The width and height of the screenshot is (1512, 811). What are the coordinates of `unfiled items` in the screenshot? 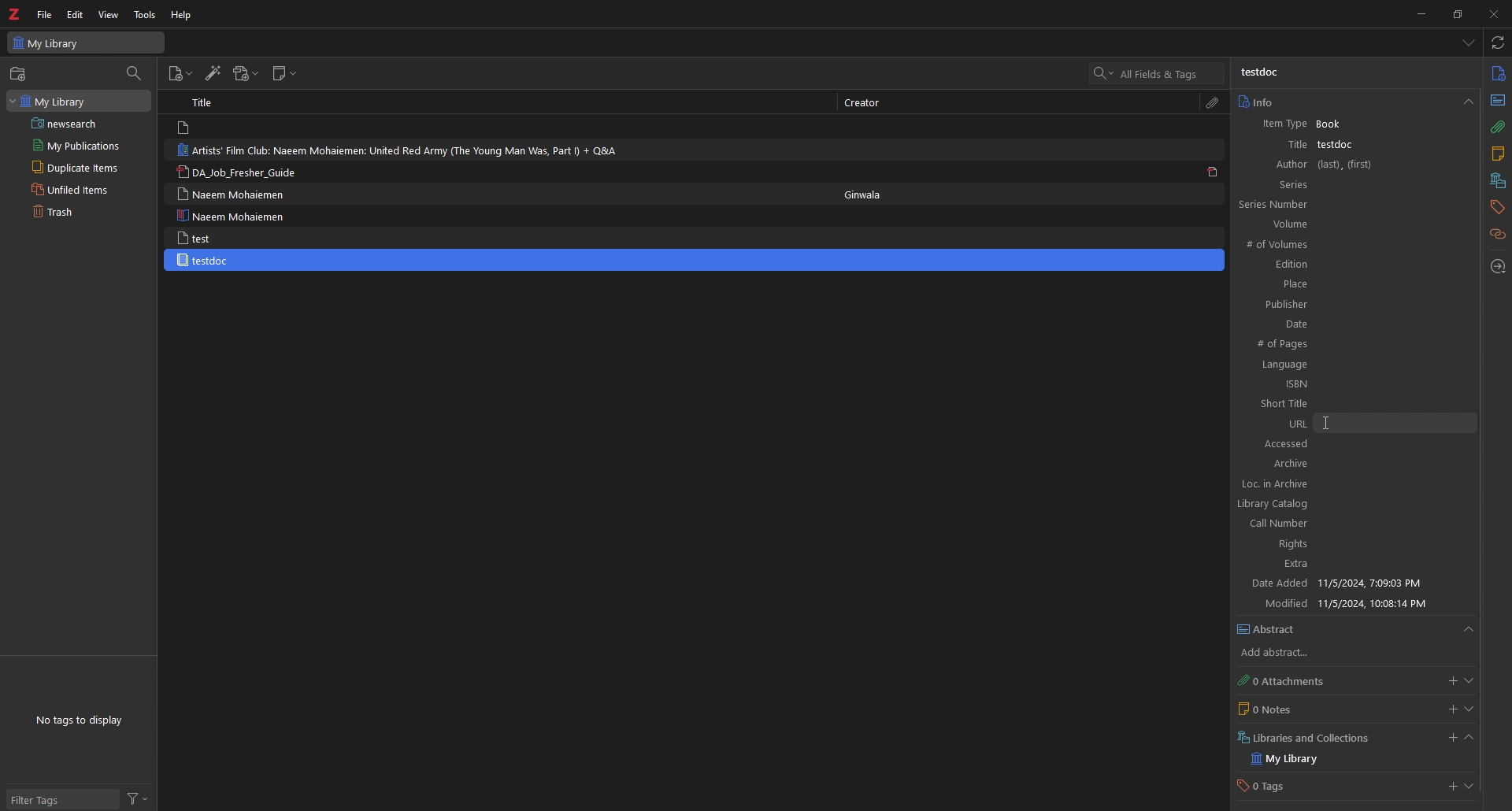 It's located at (72, 190).